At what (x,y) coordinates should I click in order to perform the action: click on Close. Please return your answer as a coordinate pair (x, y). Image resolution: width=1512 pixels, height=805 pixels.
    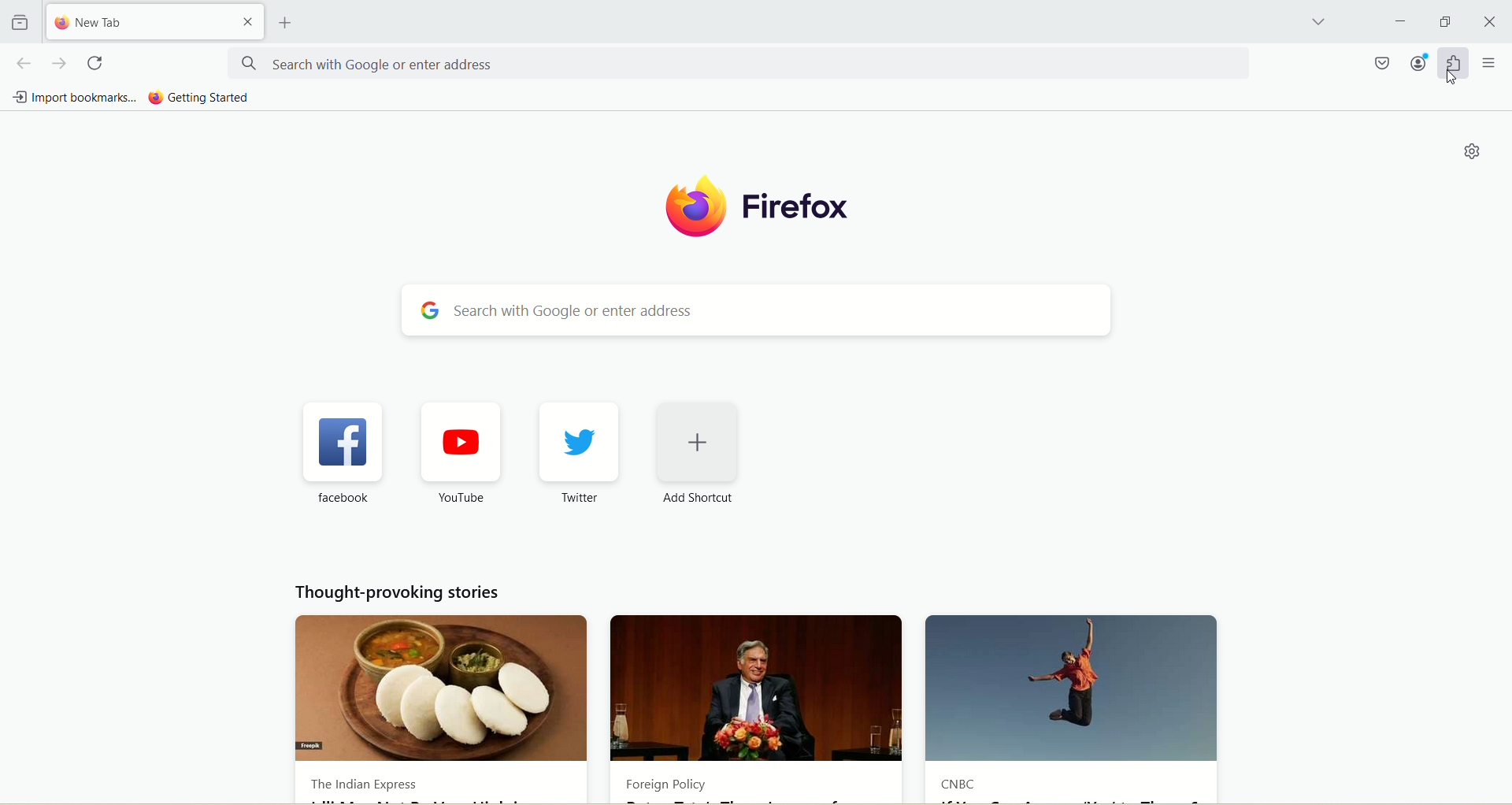
    Looking at the image, I should click on (1491, 22).